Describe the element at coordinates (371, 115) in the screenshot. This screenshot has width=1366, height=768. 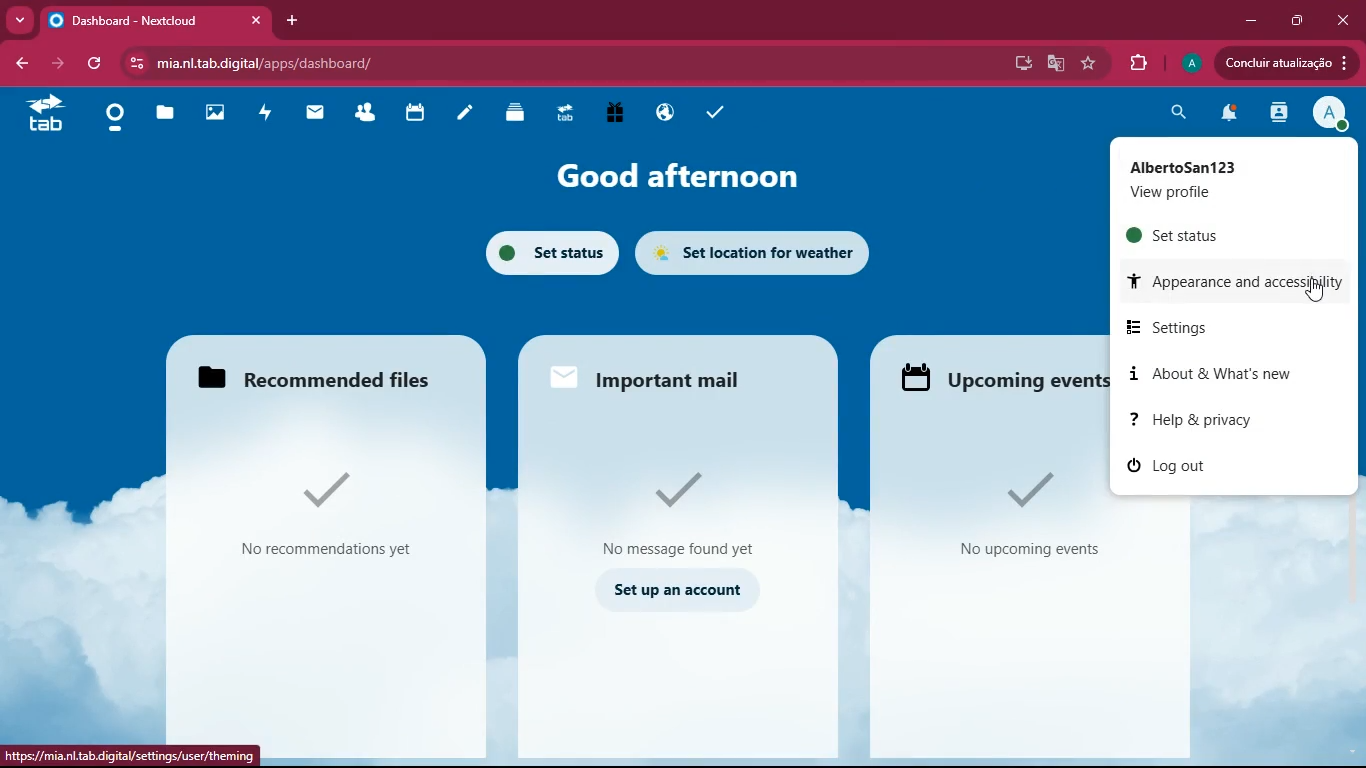
I see `friends` at that location.